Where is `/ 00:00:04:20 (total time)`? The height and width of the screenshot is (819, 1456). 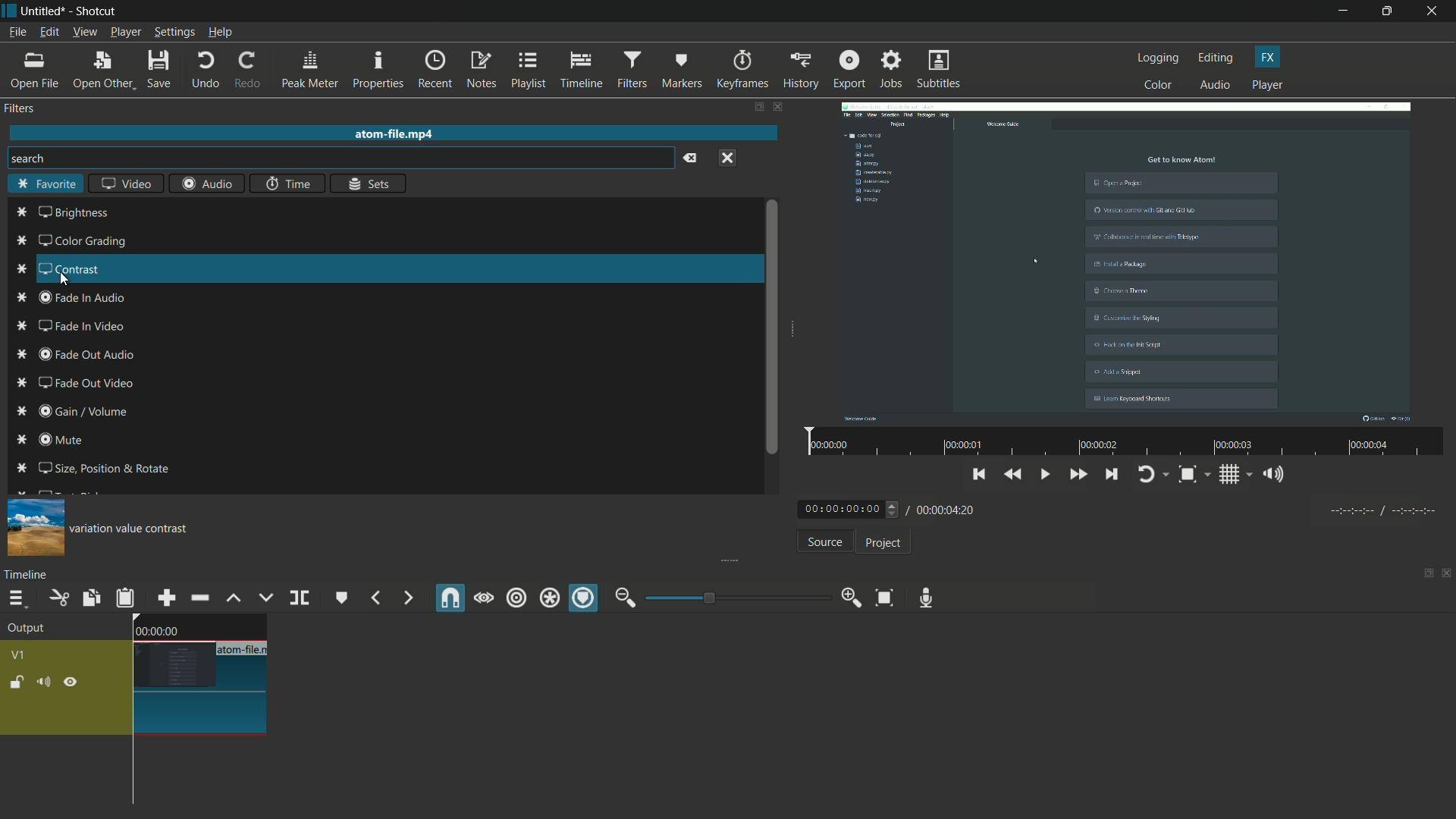
/ 00:00:04:20 (total time) is located at coordinates (943, 507).